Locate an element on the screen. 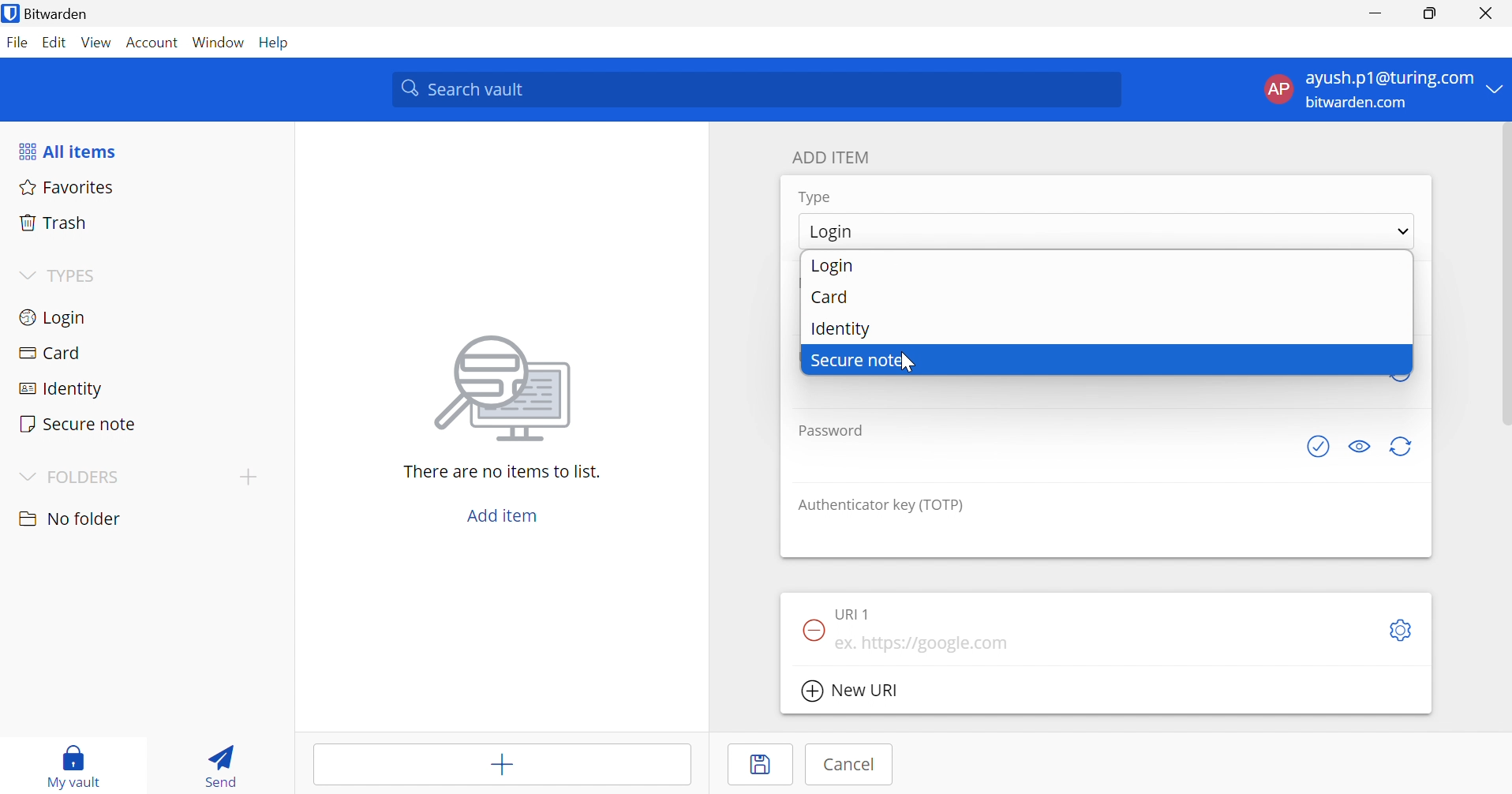  Close is located at coordinates (1484, 13).